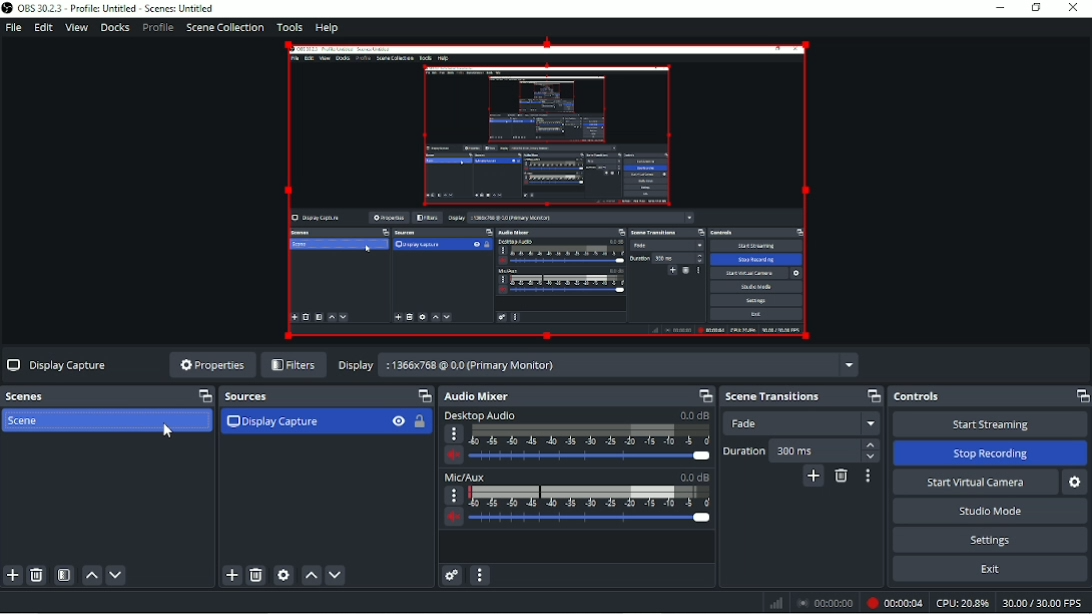 The image size is (1092, 614). What do you see at coordinates (975, 482) in the screenshot?
I see `Start virtual camera` at bounding box center [975, 482].